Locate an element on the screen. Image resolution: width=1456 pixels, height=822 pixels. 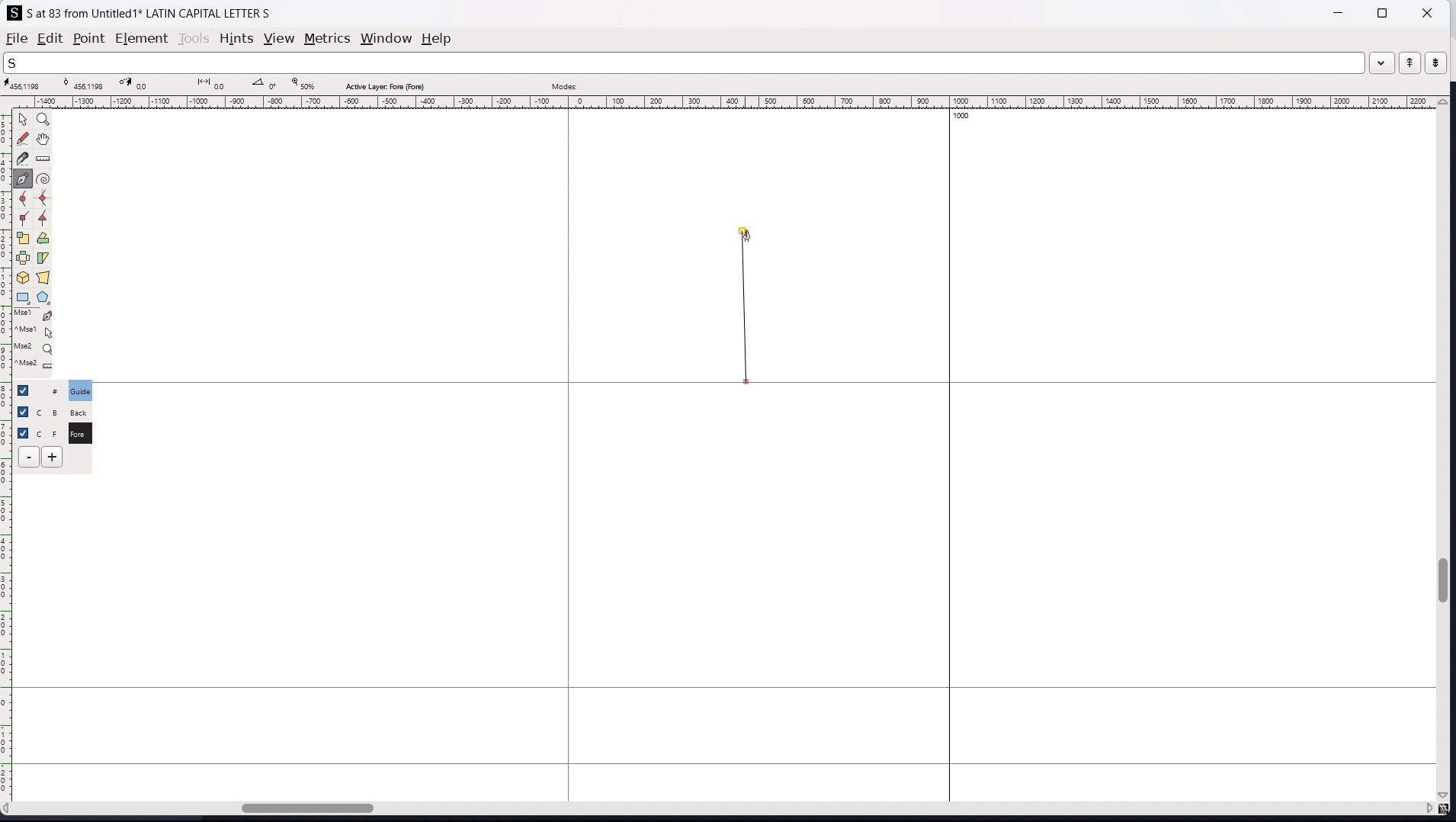
window is located at coordinates (386, 39).